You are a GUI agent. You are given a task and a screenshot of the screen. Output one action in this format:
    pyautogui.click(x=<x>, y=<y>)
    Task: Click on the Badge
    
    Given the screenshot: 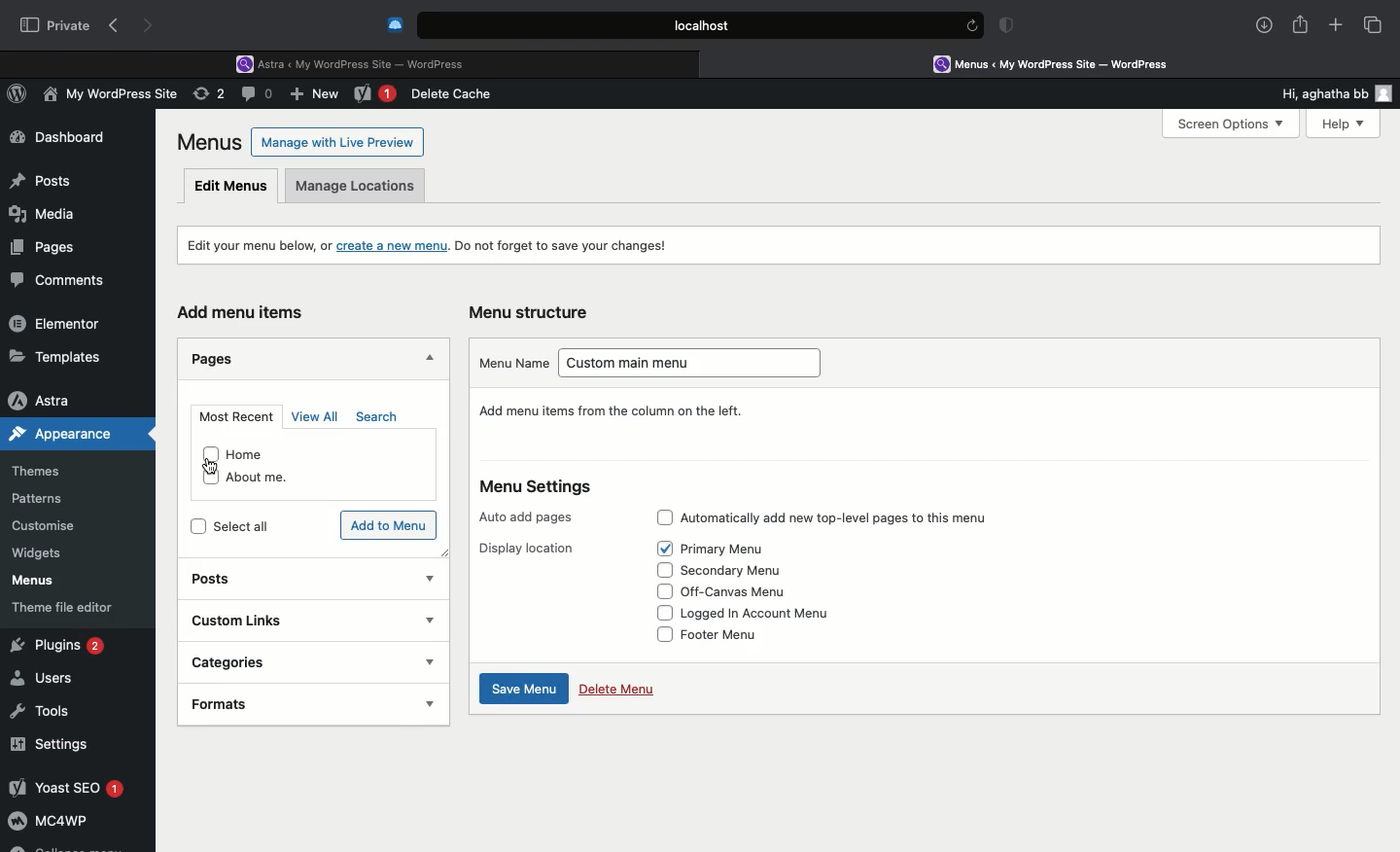 What is the action you would take?
    pyautogui.click(x=1010, y=27)
    